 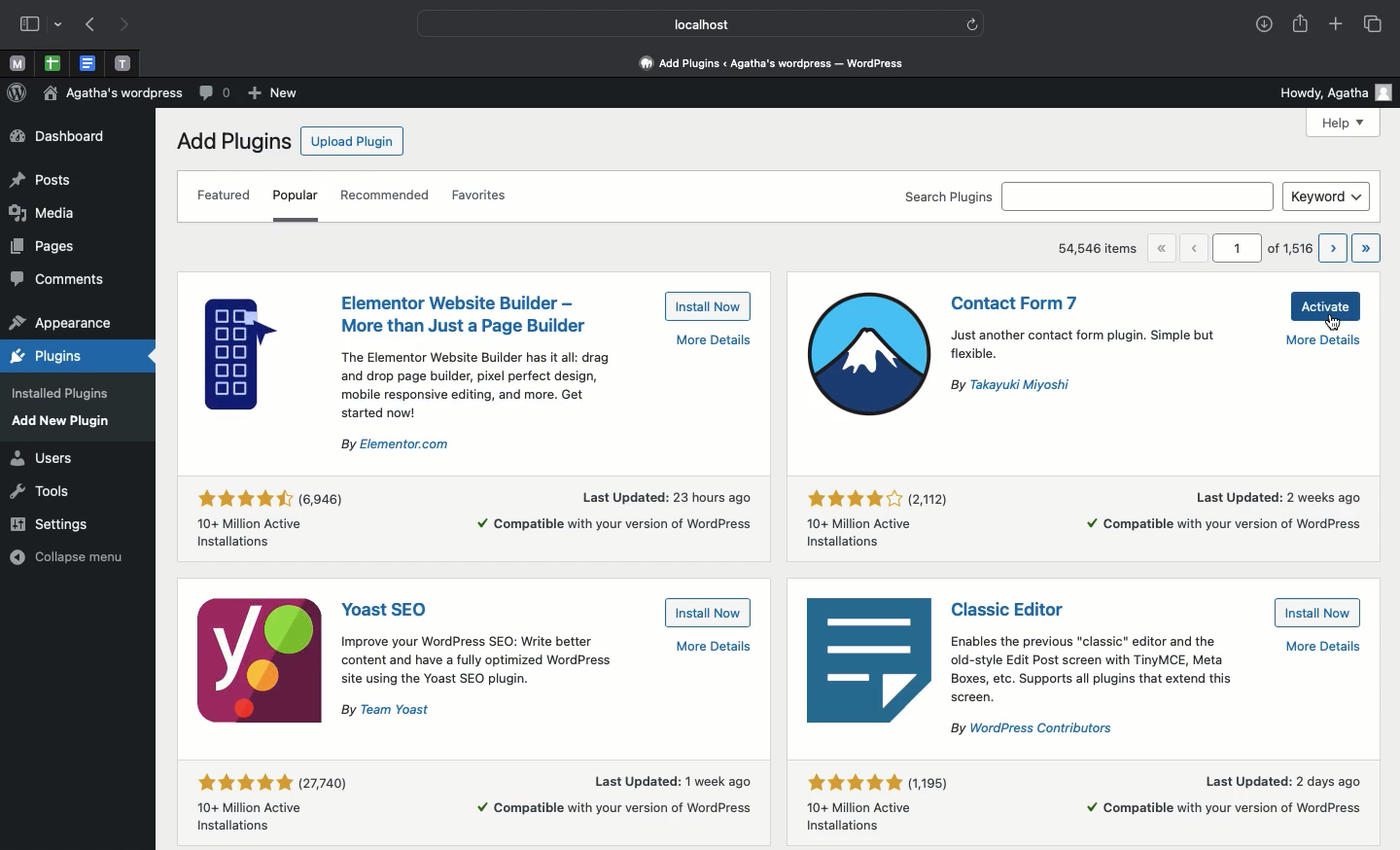 I want to click on Wordpress name, so click(x=115, y=96).